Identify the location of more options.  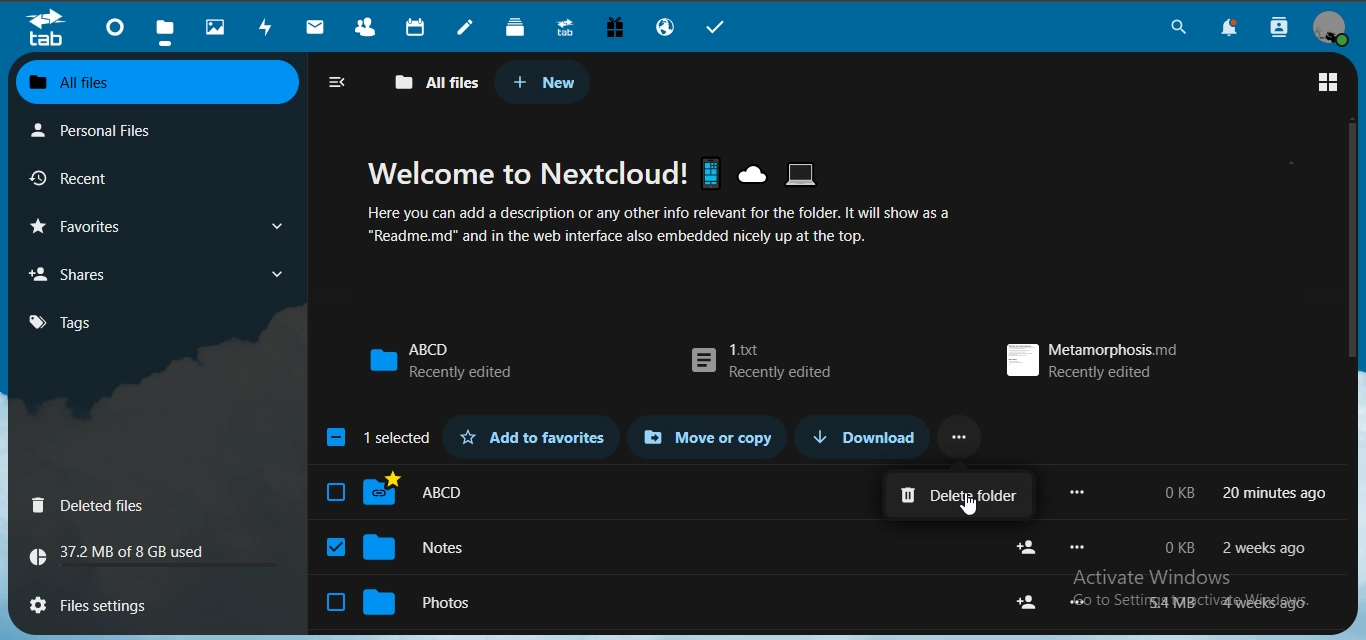
(1082, 546).